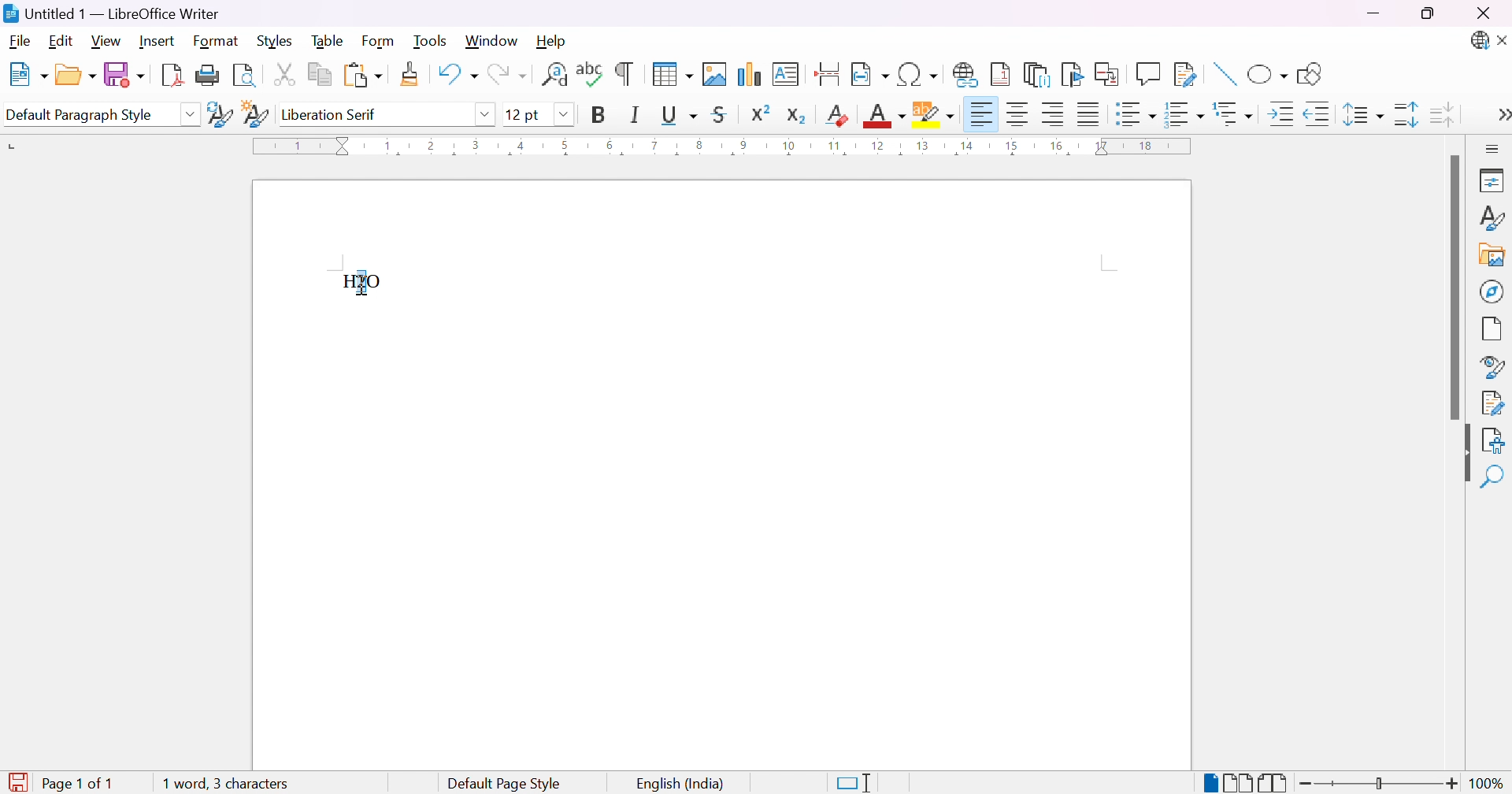  What do you see at coordinates (678, 114) in the screenshot?
I see `Underline` at bounding box center [678, 114].